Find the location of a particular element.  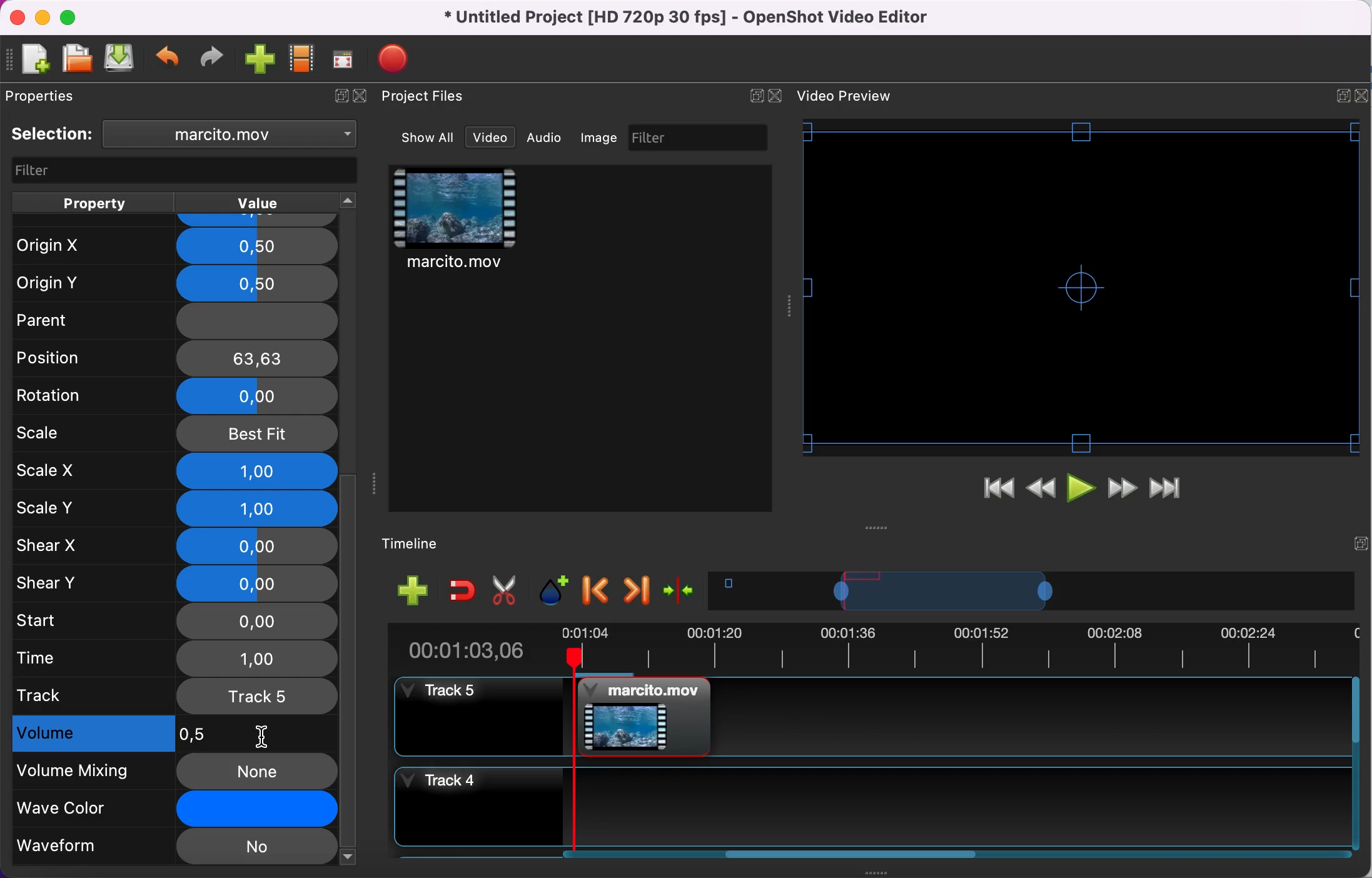

play is located at coordinates (1083, 491).